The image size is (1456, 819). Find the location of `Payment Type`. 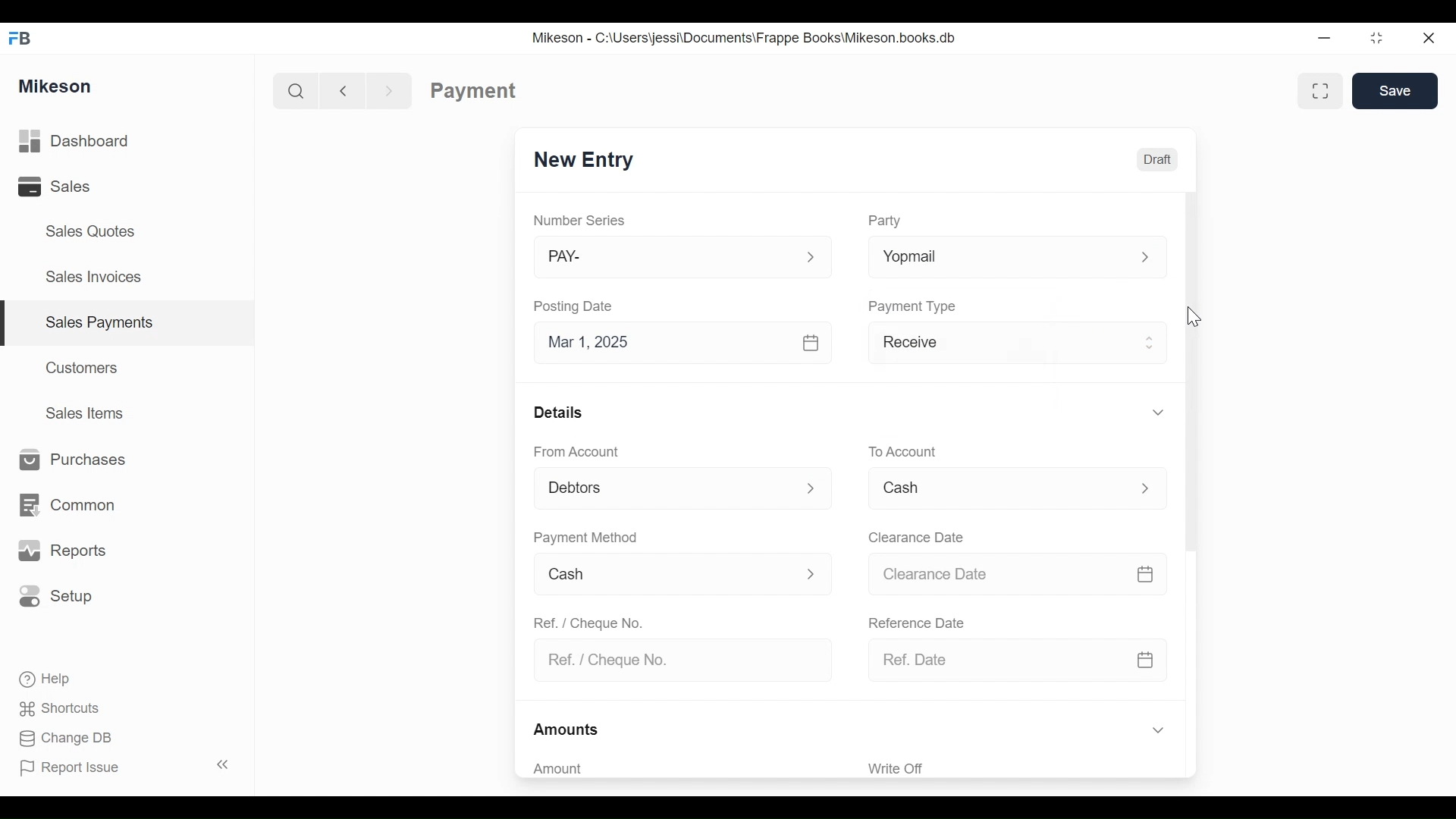

Payment Type is located at coordinates (921, 312).